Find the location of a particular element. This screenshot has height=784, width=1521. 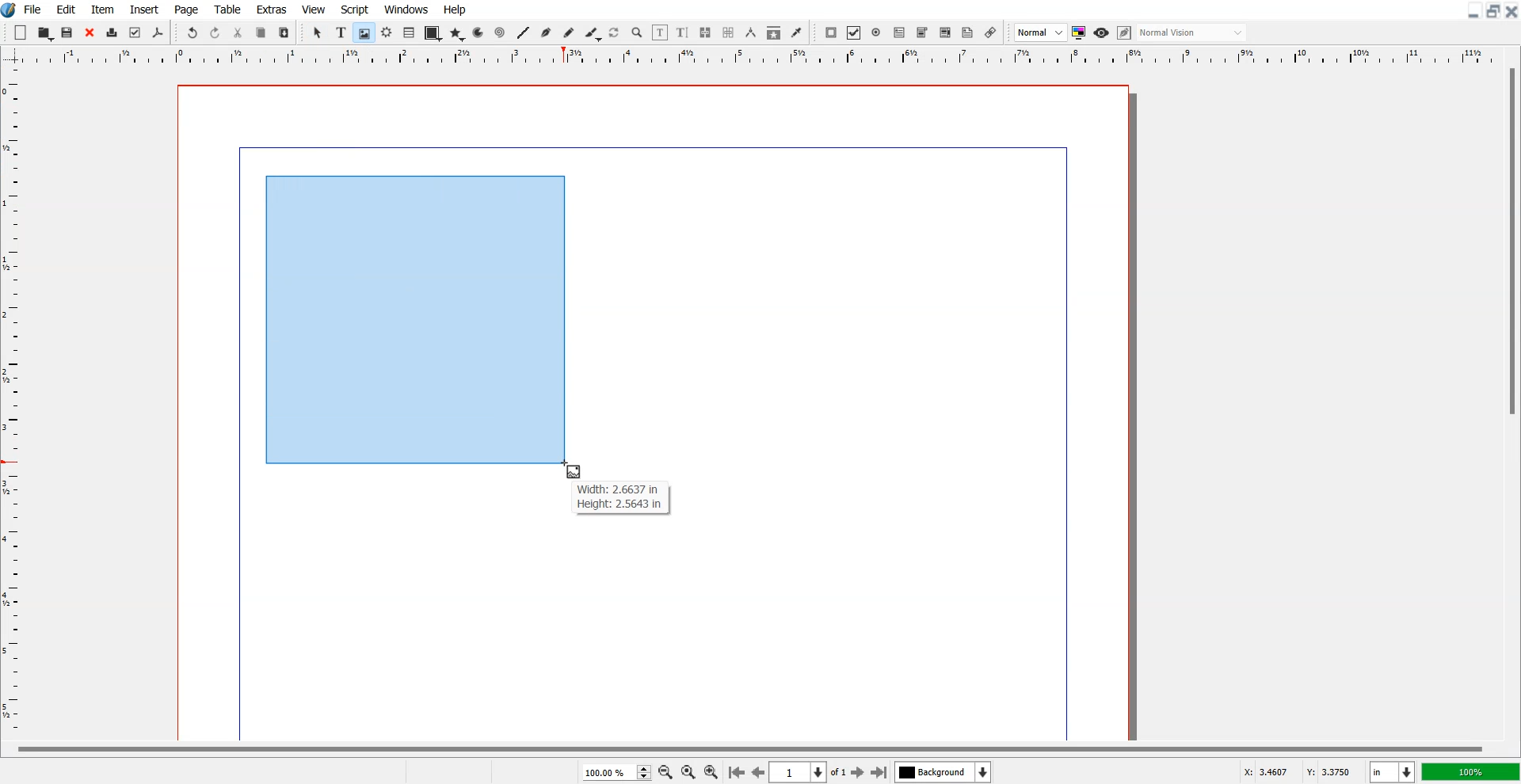

Go to First page is located at coordinates (737, 771).